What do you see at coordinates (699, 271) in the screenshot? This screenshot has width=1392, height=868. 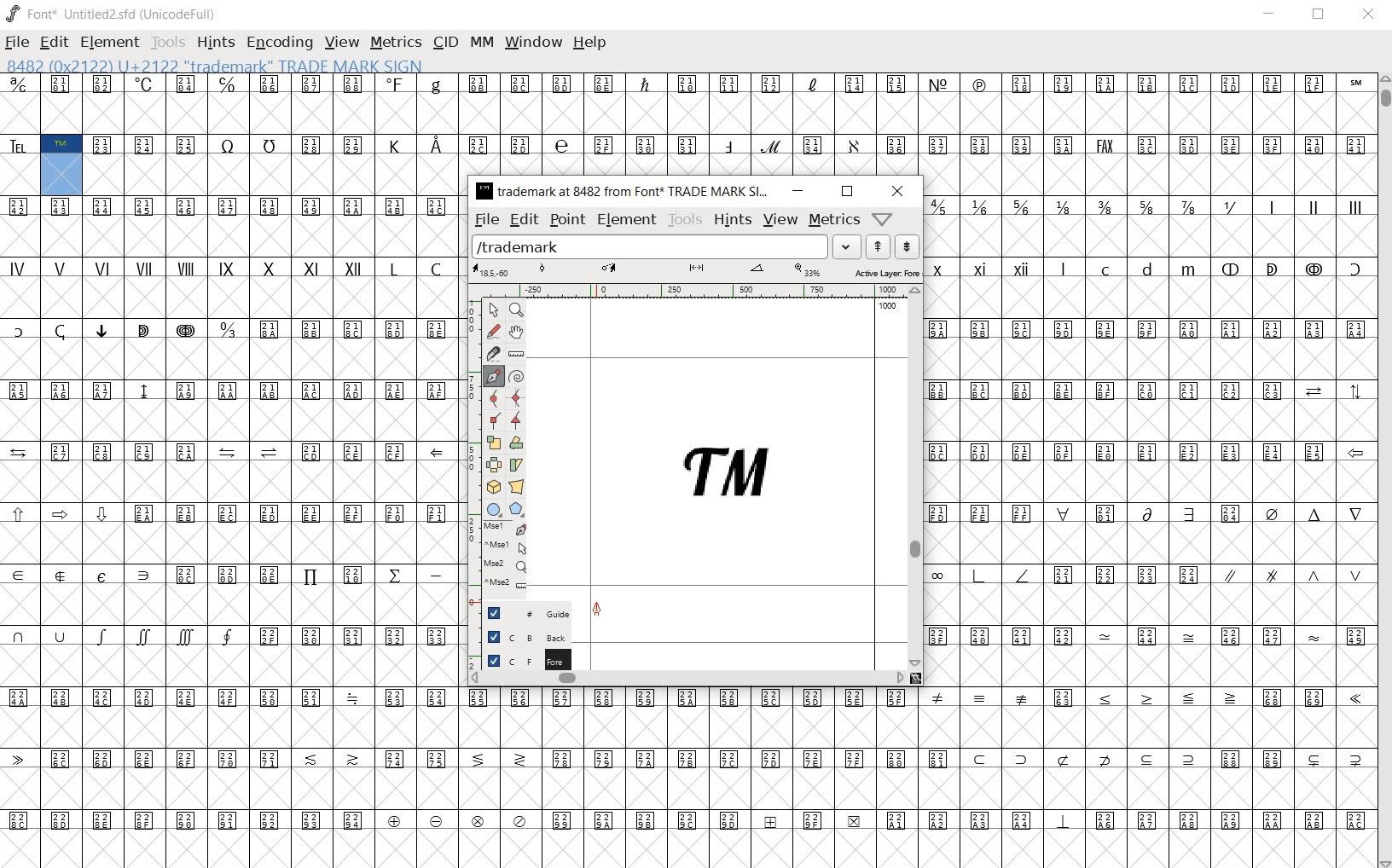 I see `active layer: foreground` at bounding box center [699, 271].